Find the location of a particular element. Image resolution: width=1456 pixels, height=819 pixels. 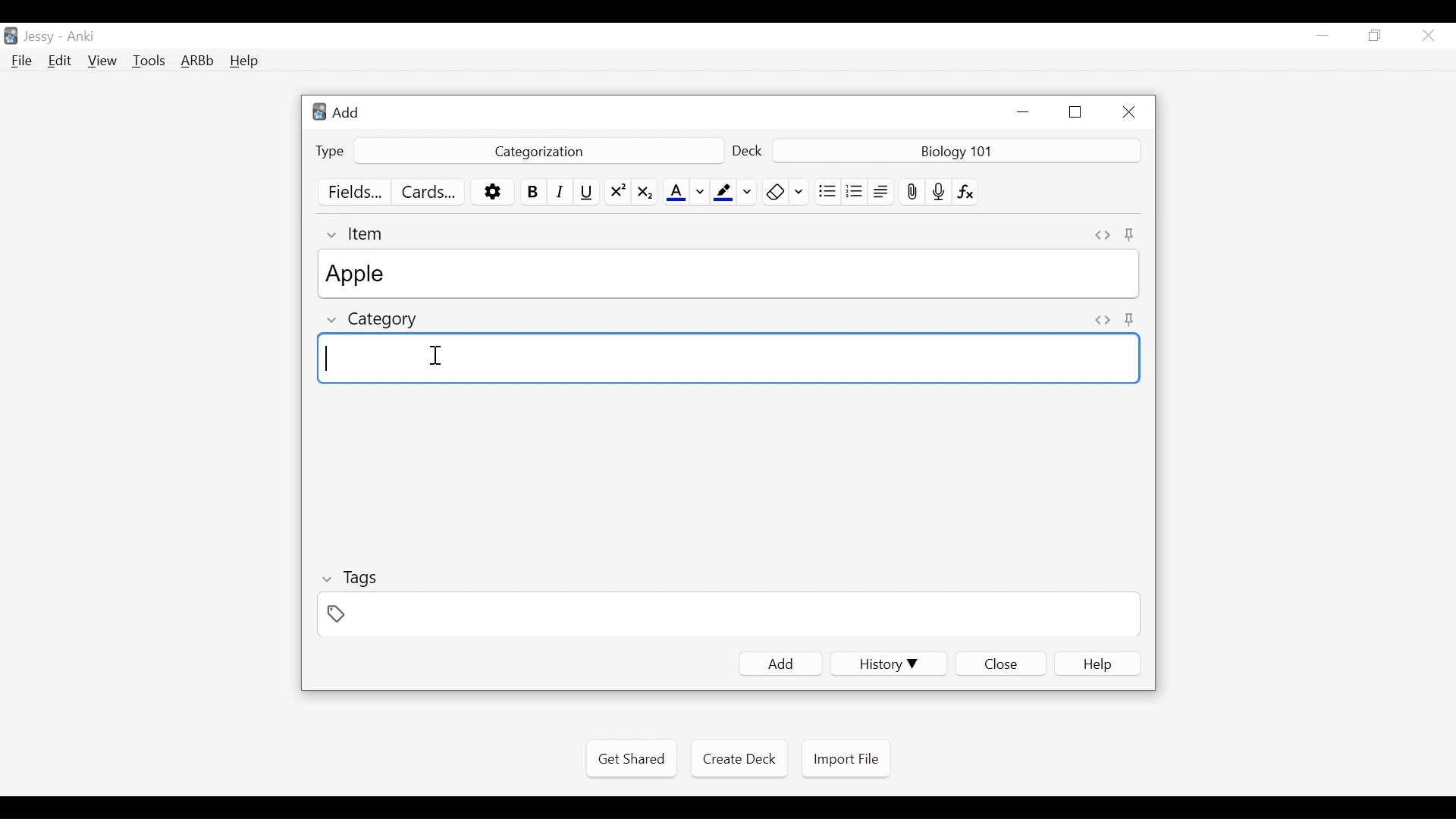

Ordered List is located at coordinates (855, 193).